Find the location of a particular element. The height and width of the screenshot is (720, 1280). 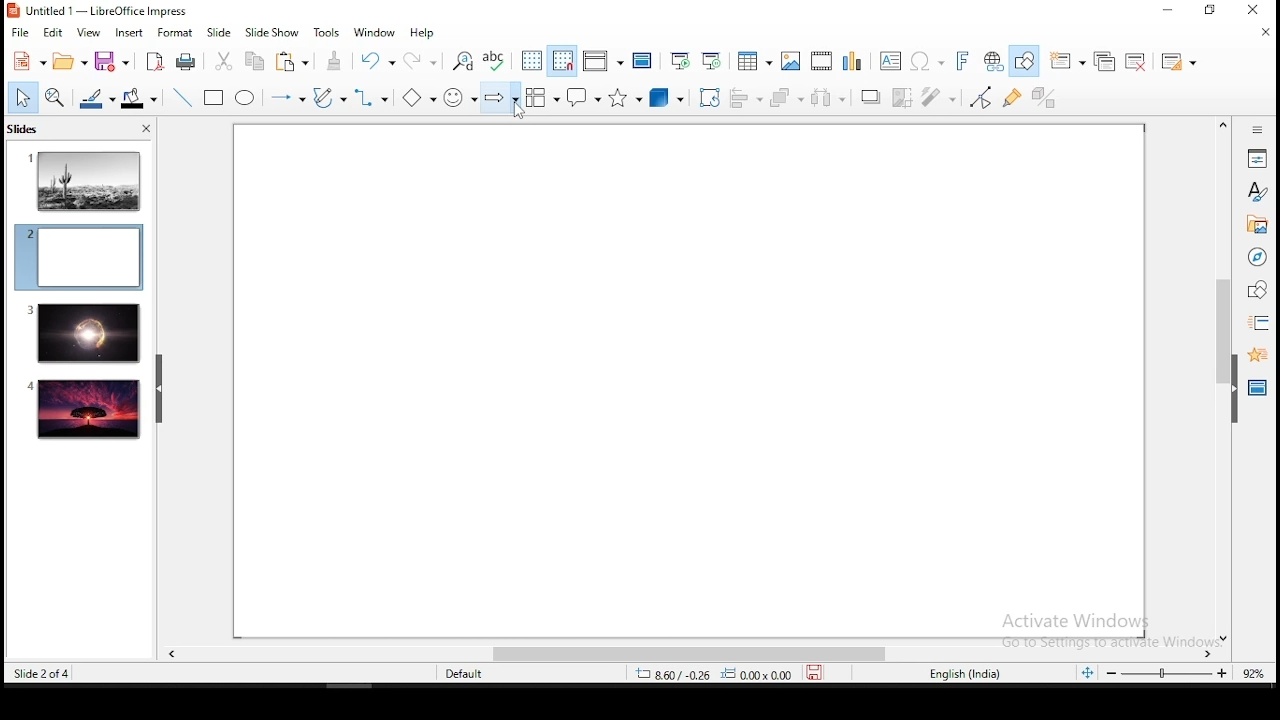

master slides is located at coordinates (1259, 386).